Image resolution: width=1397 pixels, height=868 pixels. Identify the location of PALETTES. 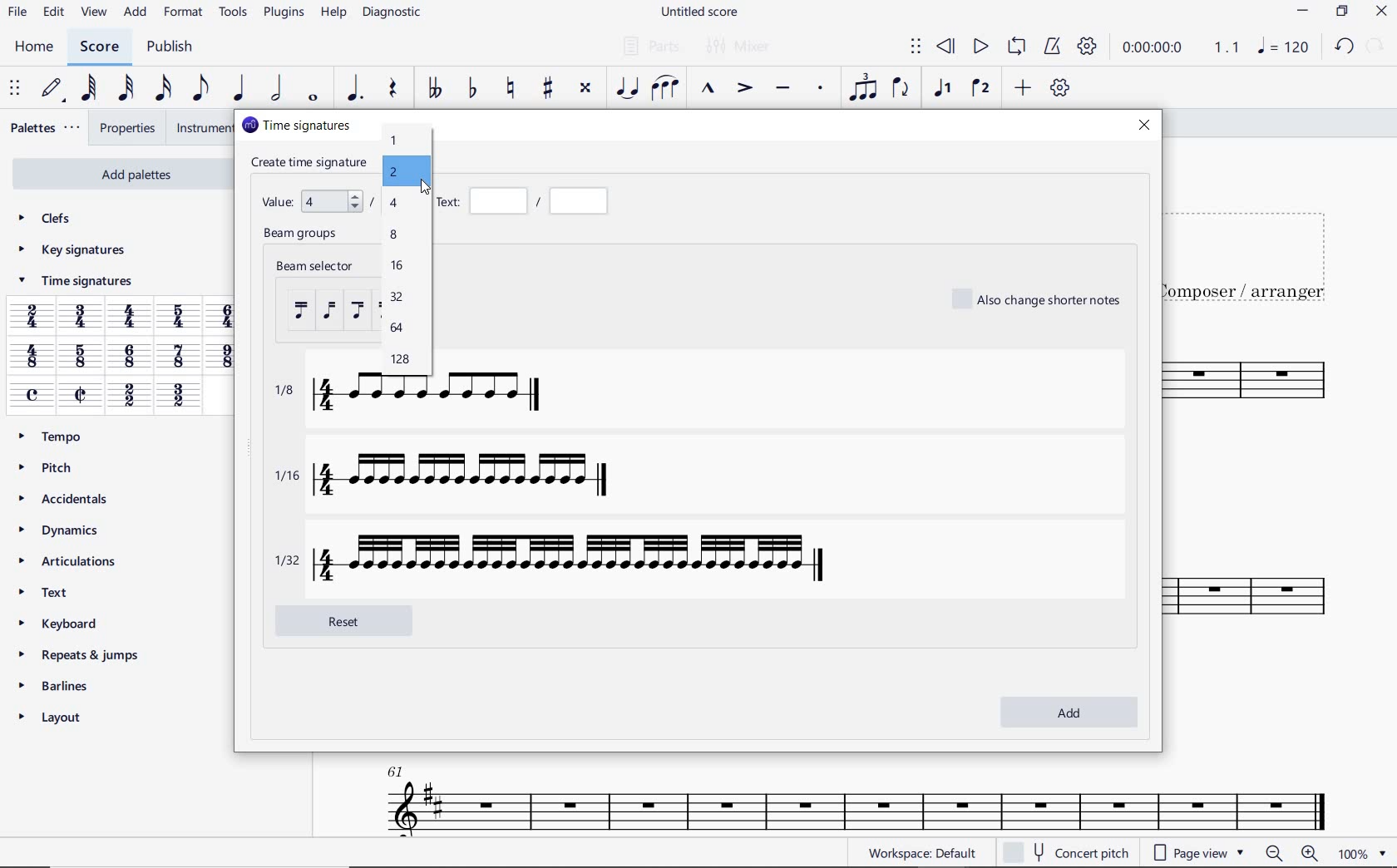
(46, 128).